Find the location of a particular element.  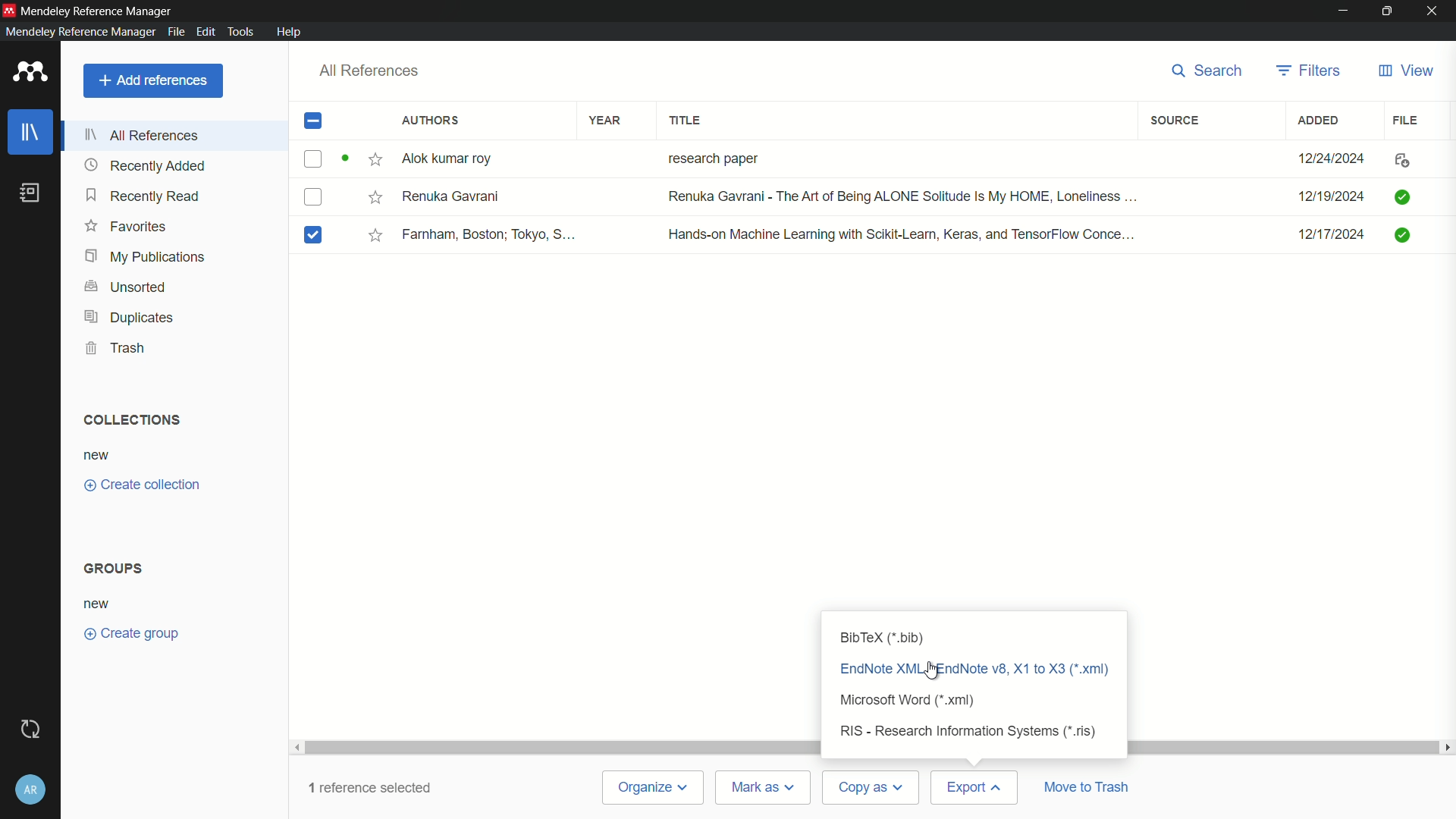

app icon is located at coordinates (31, 72).